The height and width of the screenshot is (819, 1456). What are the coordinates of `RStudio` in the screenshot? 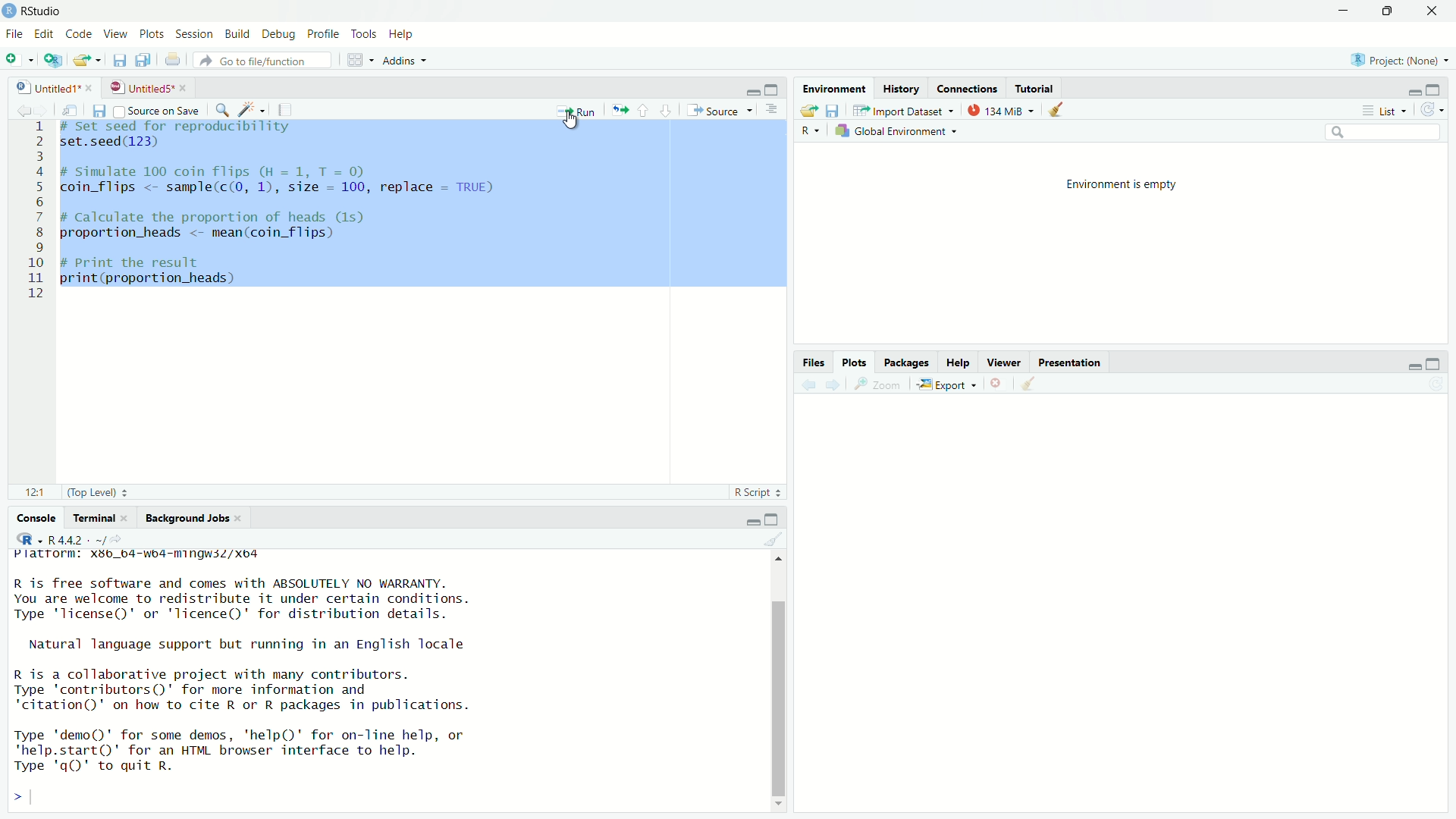 It's located at (43, 9).